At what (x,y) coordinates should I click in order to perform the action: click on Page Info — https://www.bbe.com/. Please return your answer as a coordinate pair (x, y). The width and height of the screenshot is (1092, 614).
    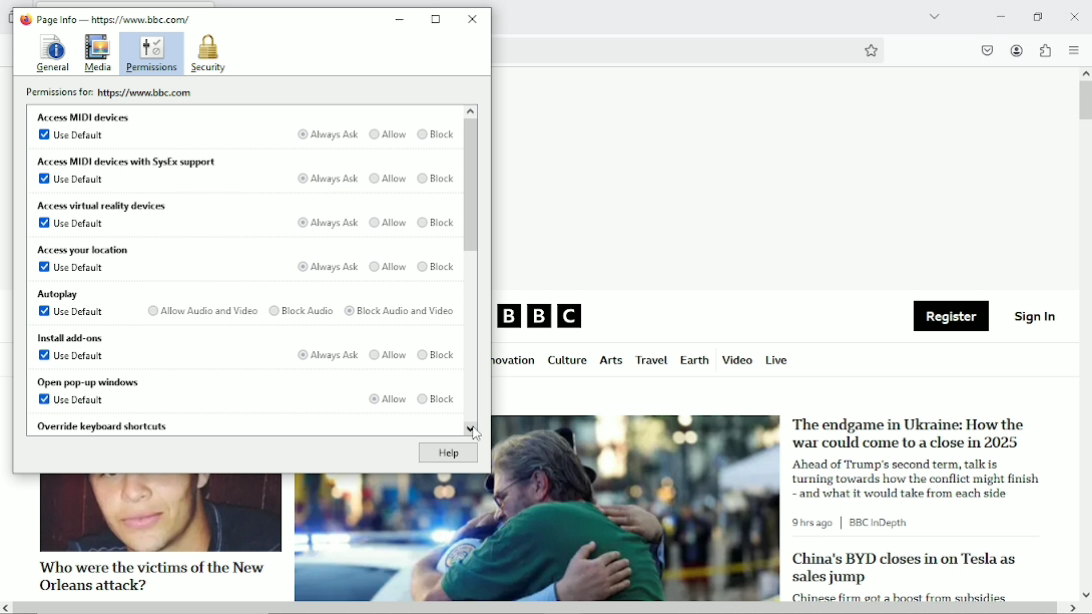
    Looking at the image, I should click on (114, 19).